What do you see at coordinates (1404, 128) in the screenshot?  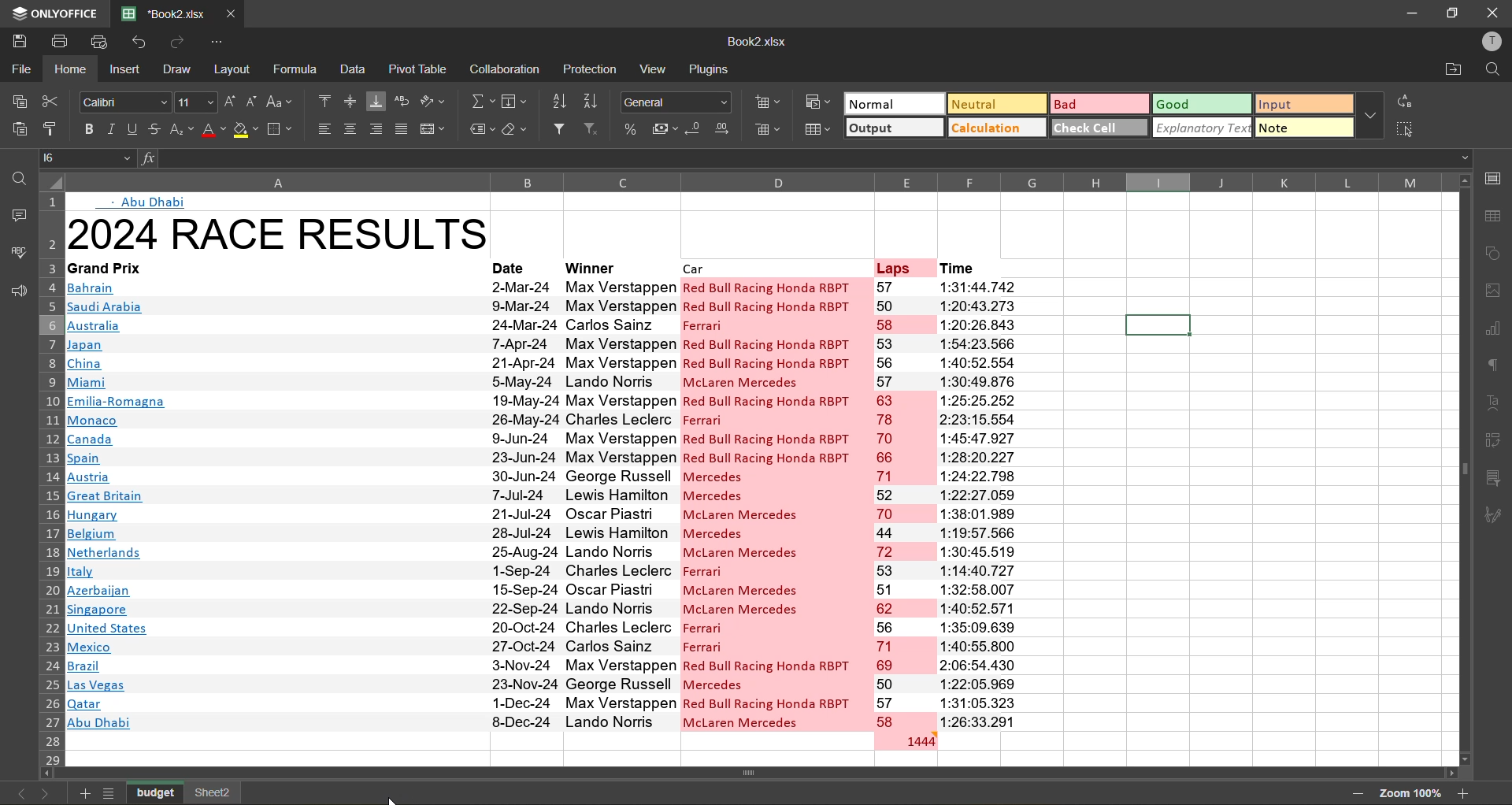 I see `select all` at bounding box center [1404, 128].